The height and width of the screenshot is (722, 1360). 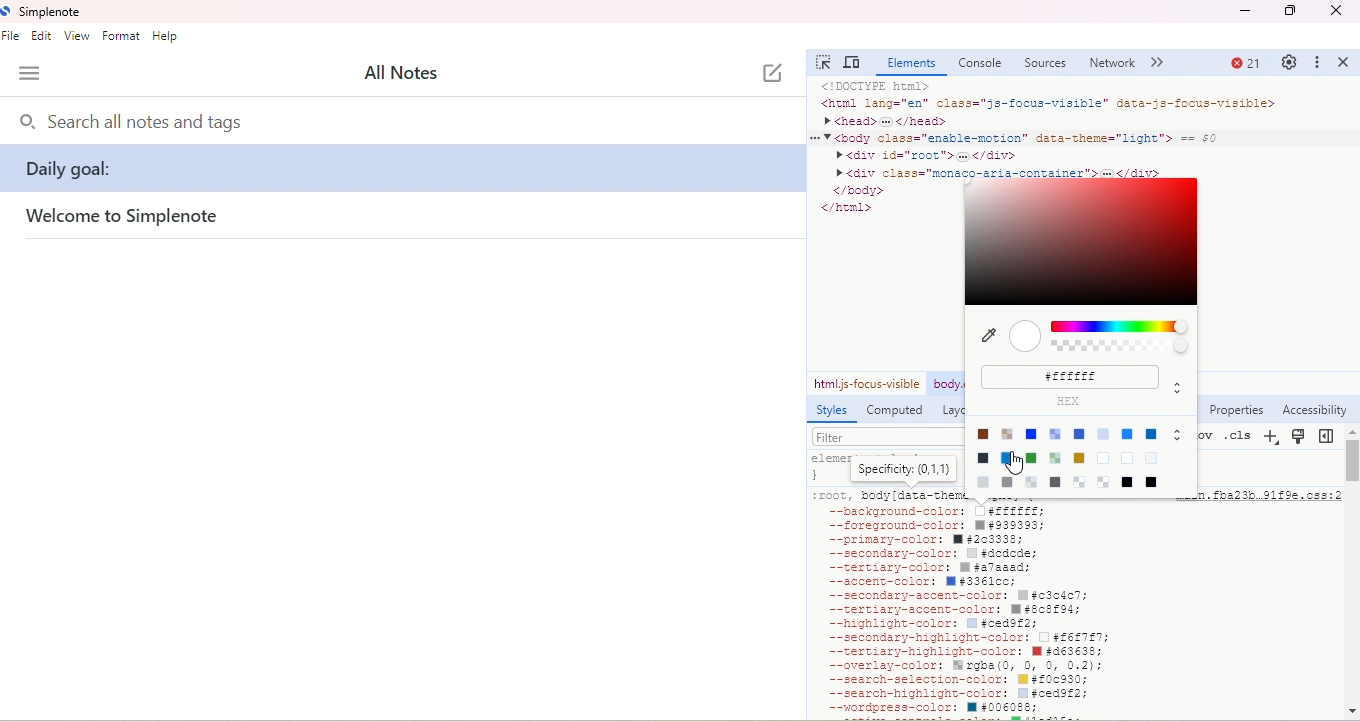 I want to click on filter, so click(x=887, y=436).